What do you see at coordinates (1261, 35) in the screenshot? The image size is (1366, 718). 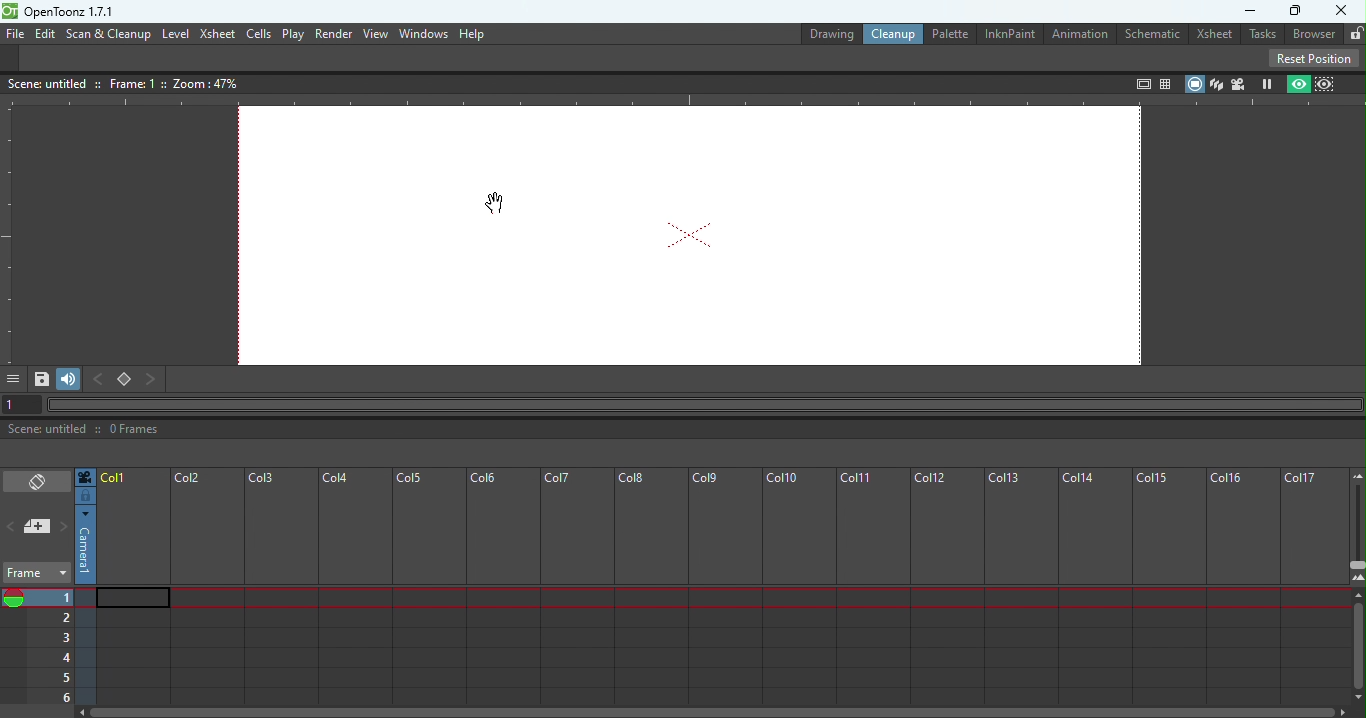 I see `Tasks` at bounding box center [1261, 35].